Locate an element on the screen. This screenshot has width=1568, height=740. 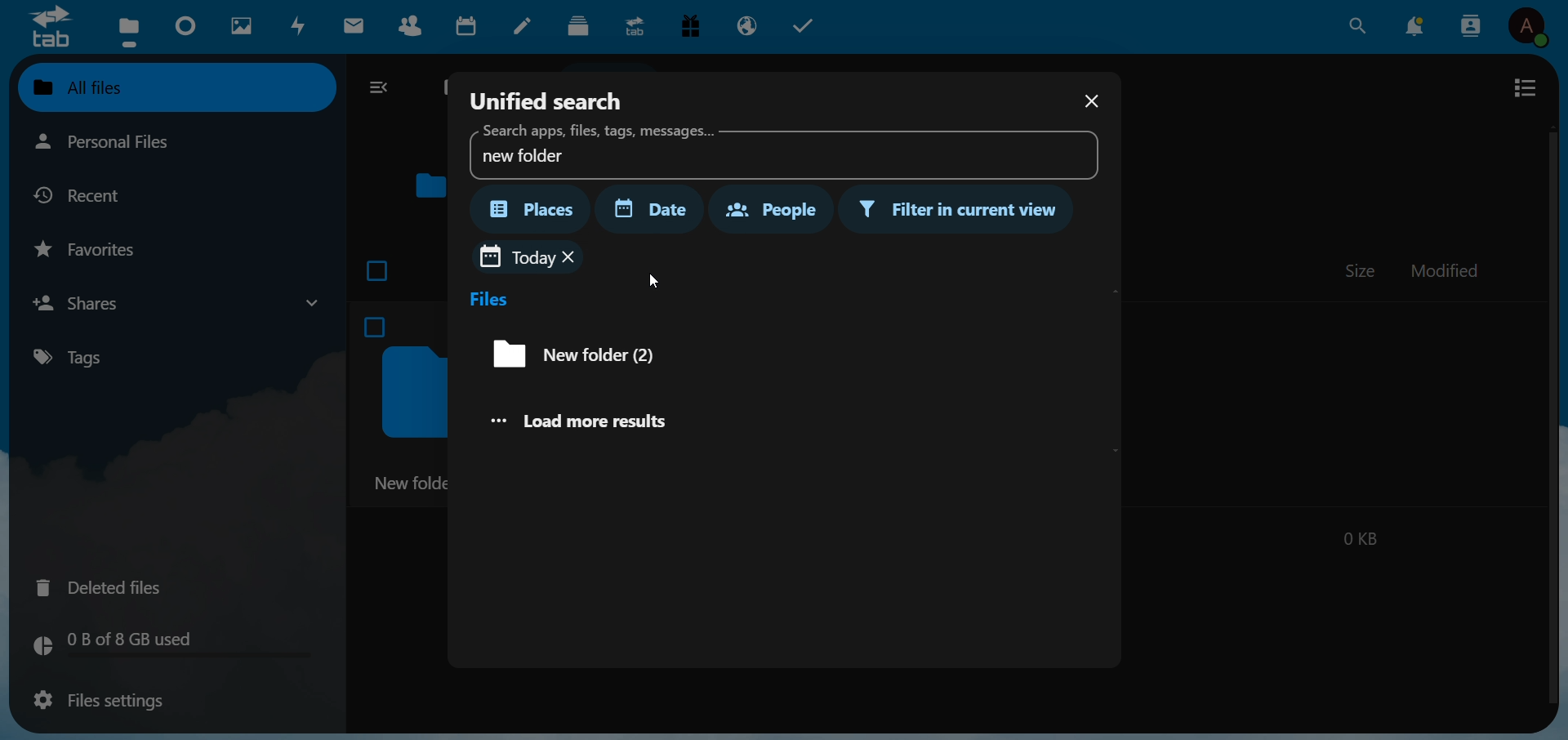
close dialog is located at coordinates (1089, 103).